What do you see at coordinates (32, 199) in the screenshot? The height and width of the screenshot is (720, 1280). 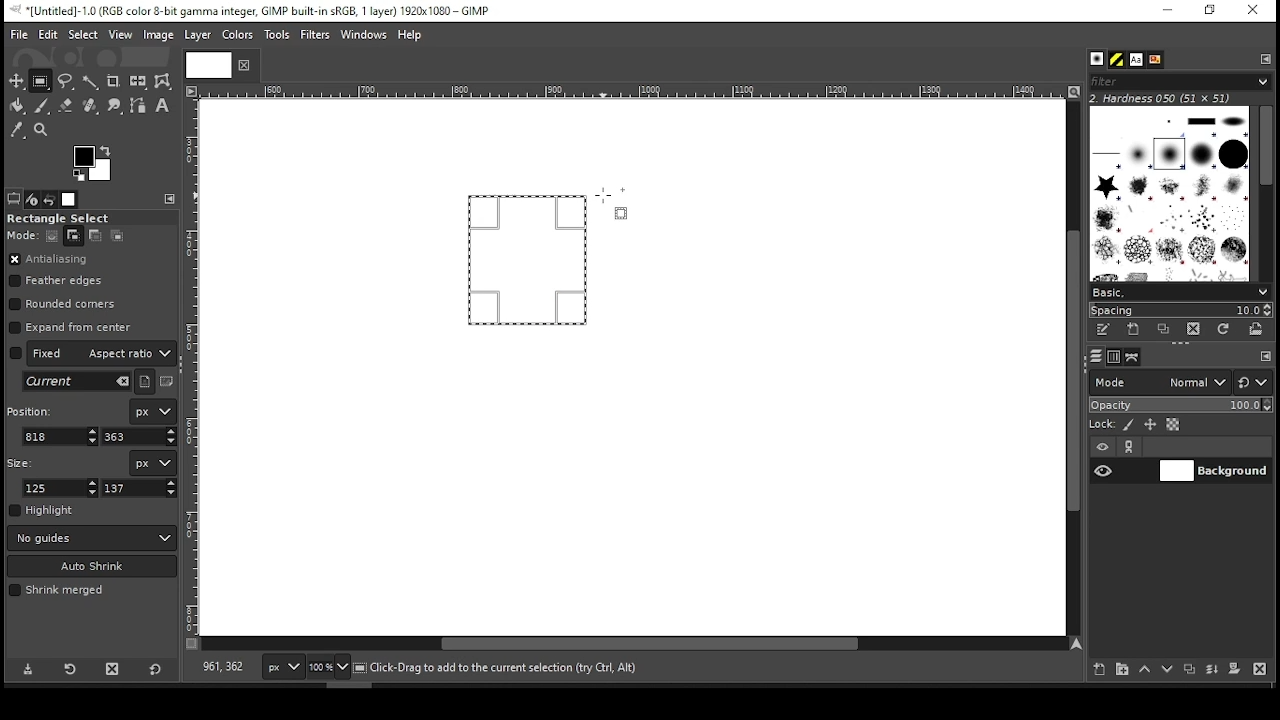 I see `device status` at bounding box center [32, 199].